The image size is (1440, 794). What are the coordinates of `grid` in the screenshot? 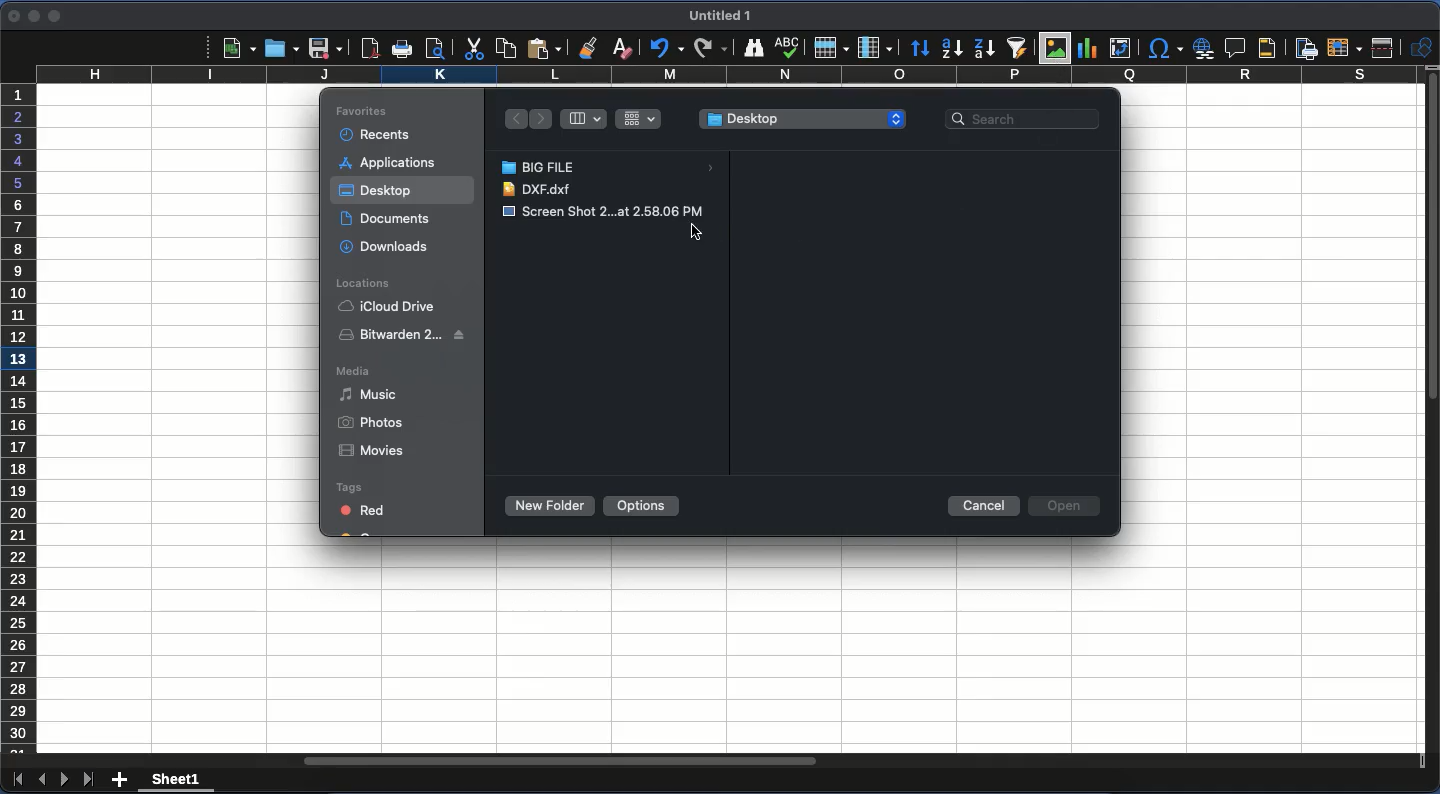 It's located at (638, 118).